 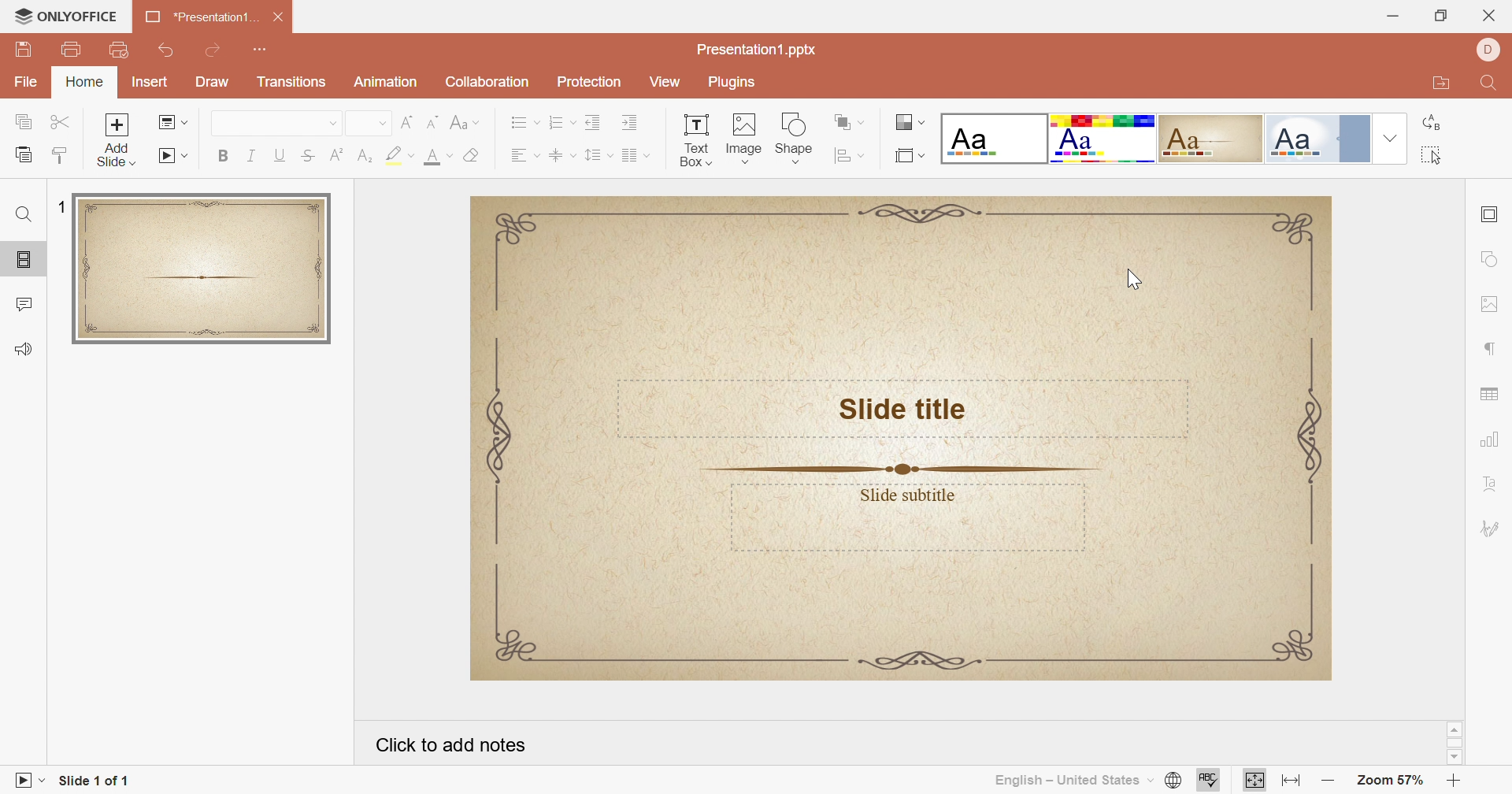 I want to click on Drop Down, so click(x=925, y=155).